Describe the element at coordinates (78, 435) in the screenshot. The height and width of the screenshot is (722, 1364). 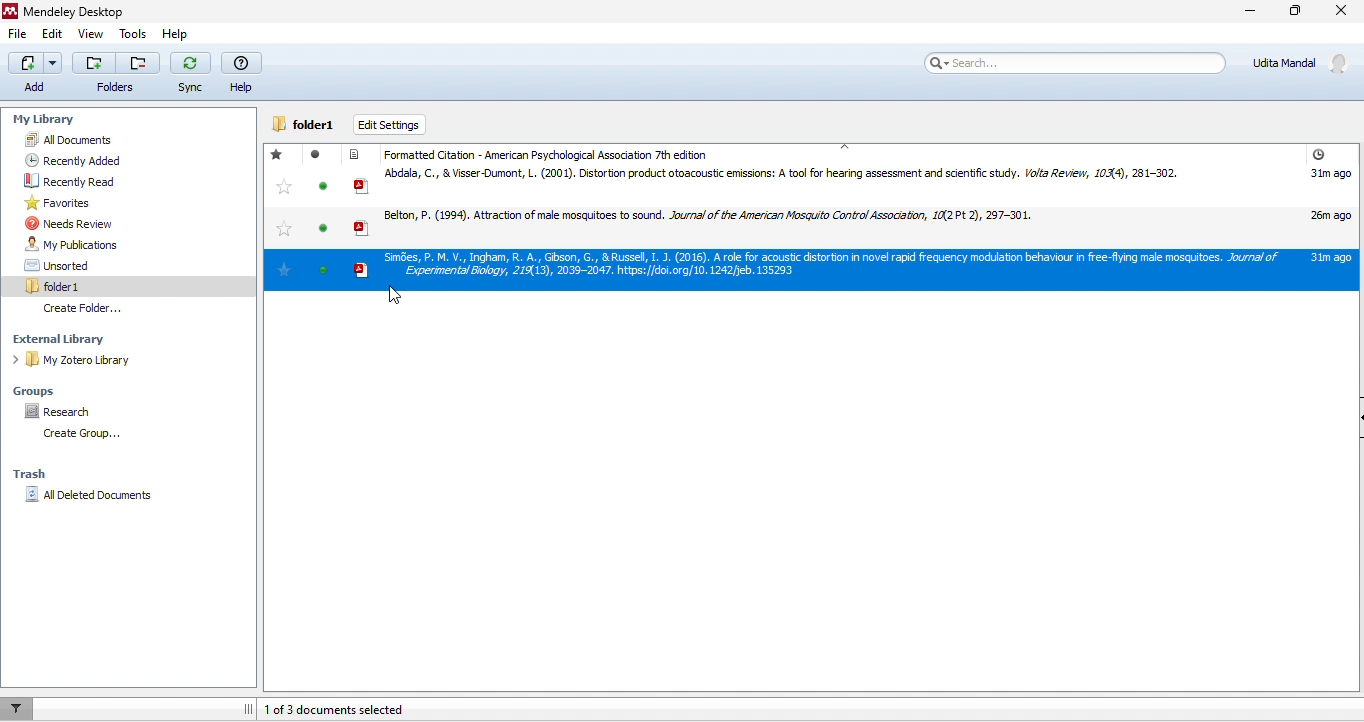
I see `create folder` at that location.